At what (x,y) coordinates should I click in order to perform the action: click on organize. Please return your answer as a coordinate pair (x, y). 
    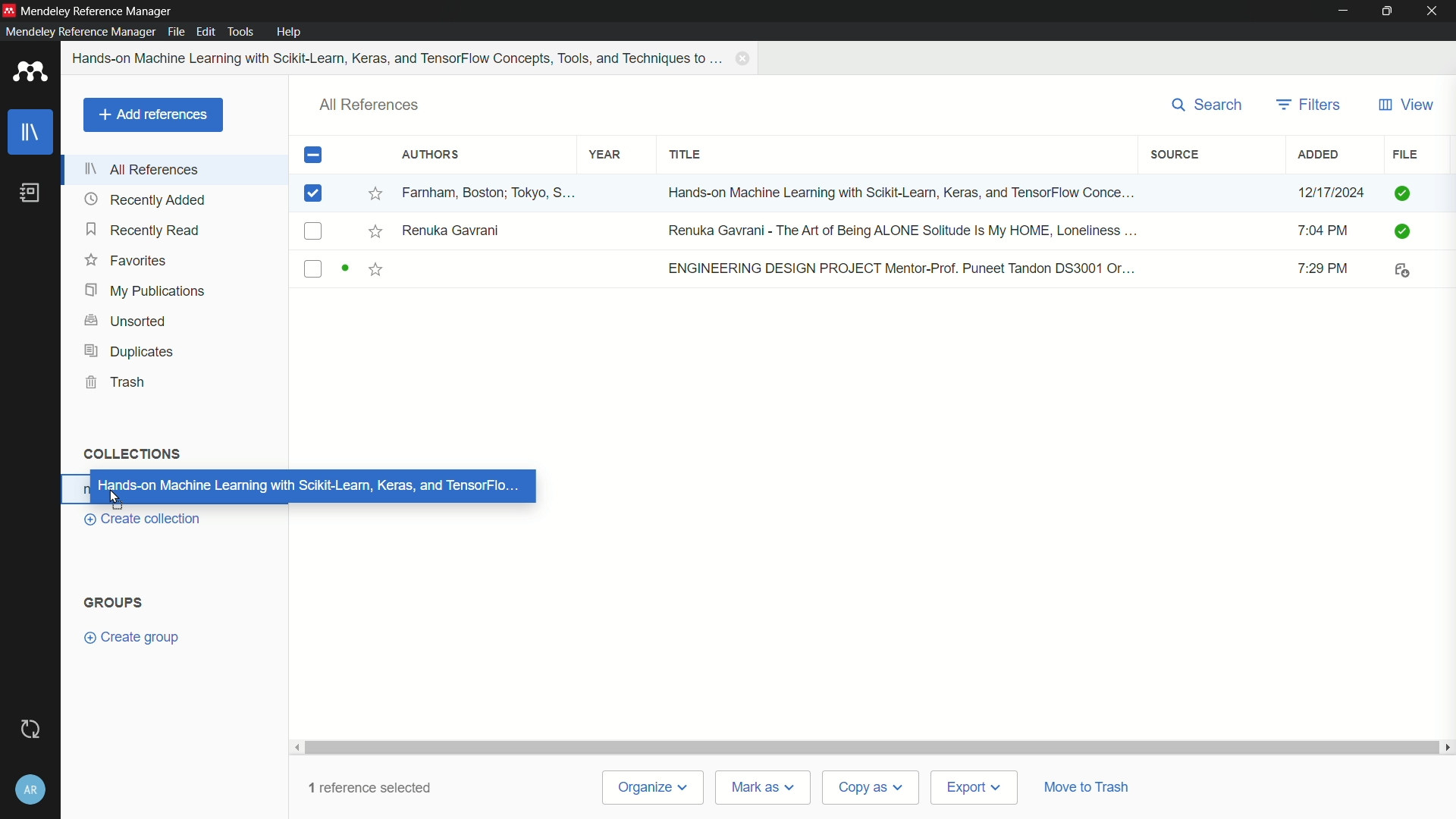
    Looking at the image, I should click on (653, 787).